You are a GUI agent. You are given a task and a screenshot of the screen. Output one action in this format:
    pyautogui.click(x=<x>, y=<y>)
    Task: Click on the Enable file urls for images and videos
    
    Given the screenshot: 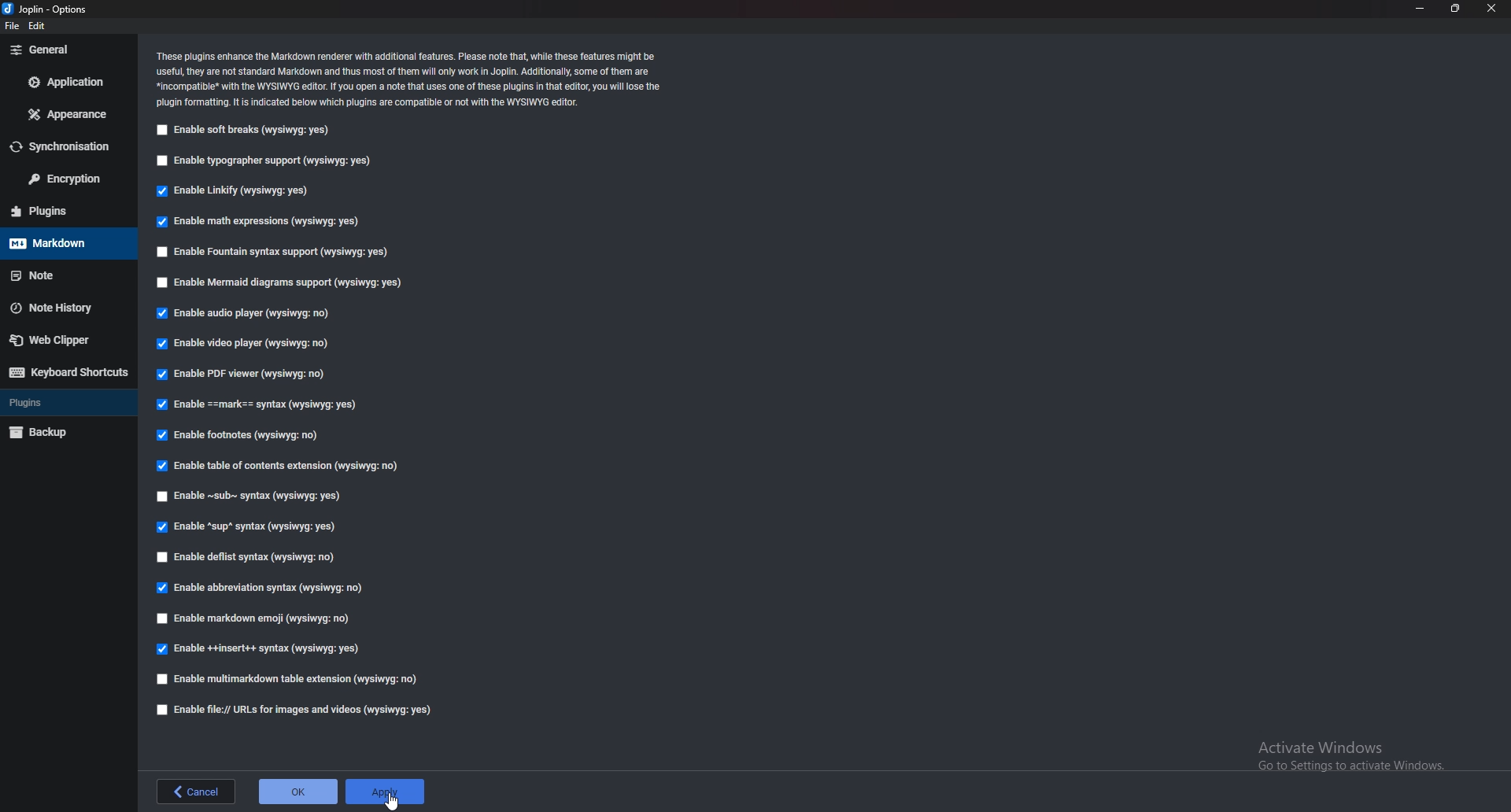 What is the action you would take?
    pyautogui.click(x=292, y=710)
    